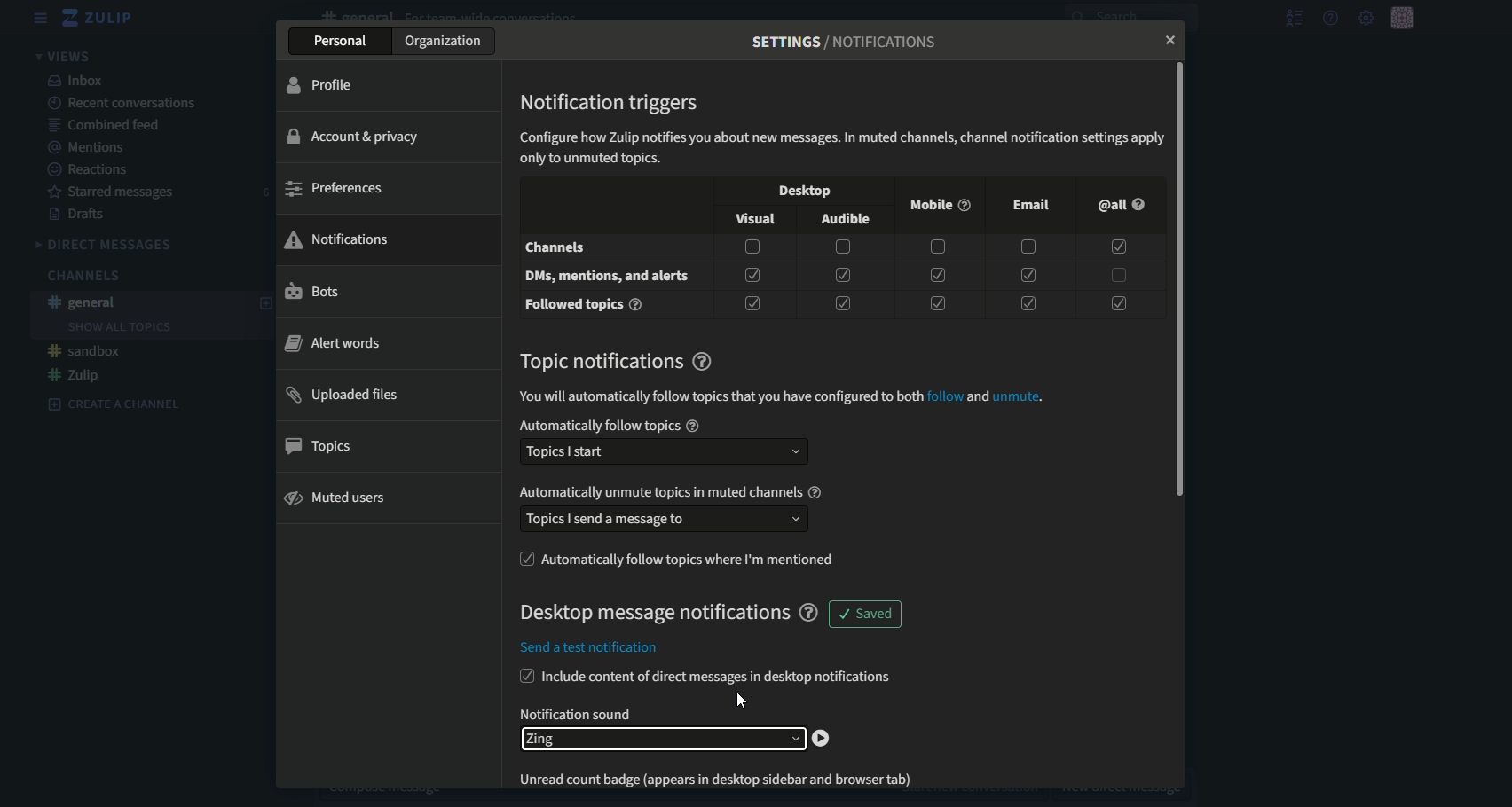  I want to click on follow, so click(945, 396).